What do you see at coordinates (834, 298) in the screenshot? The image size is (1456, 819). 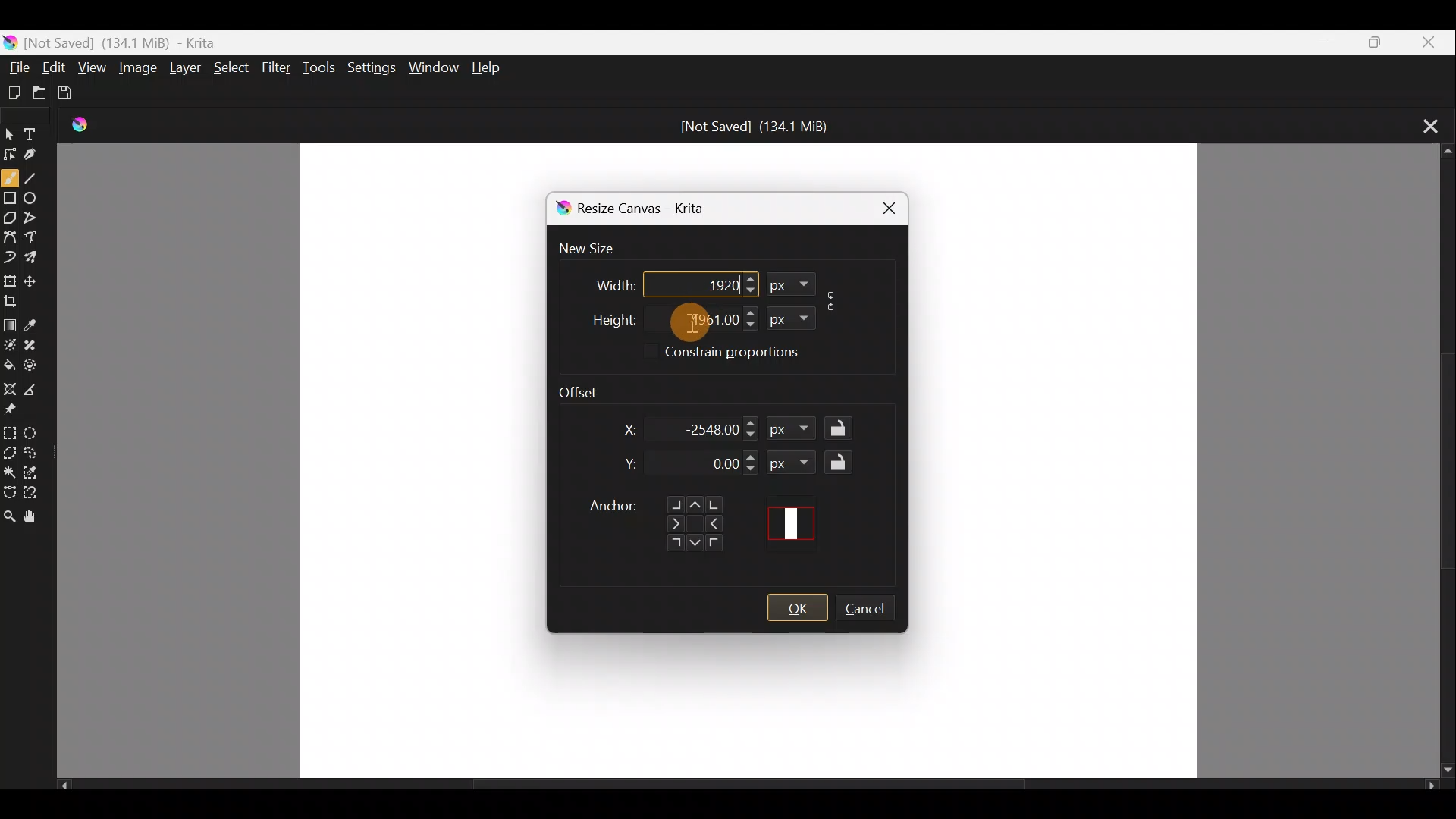 I see `Constrain proportions` at bounding box center [834, 298].